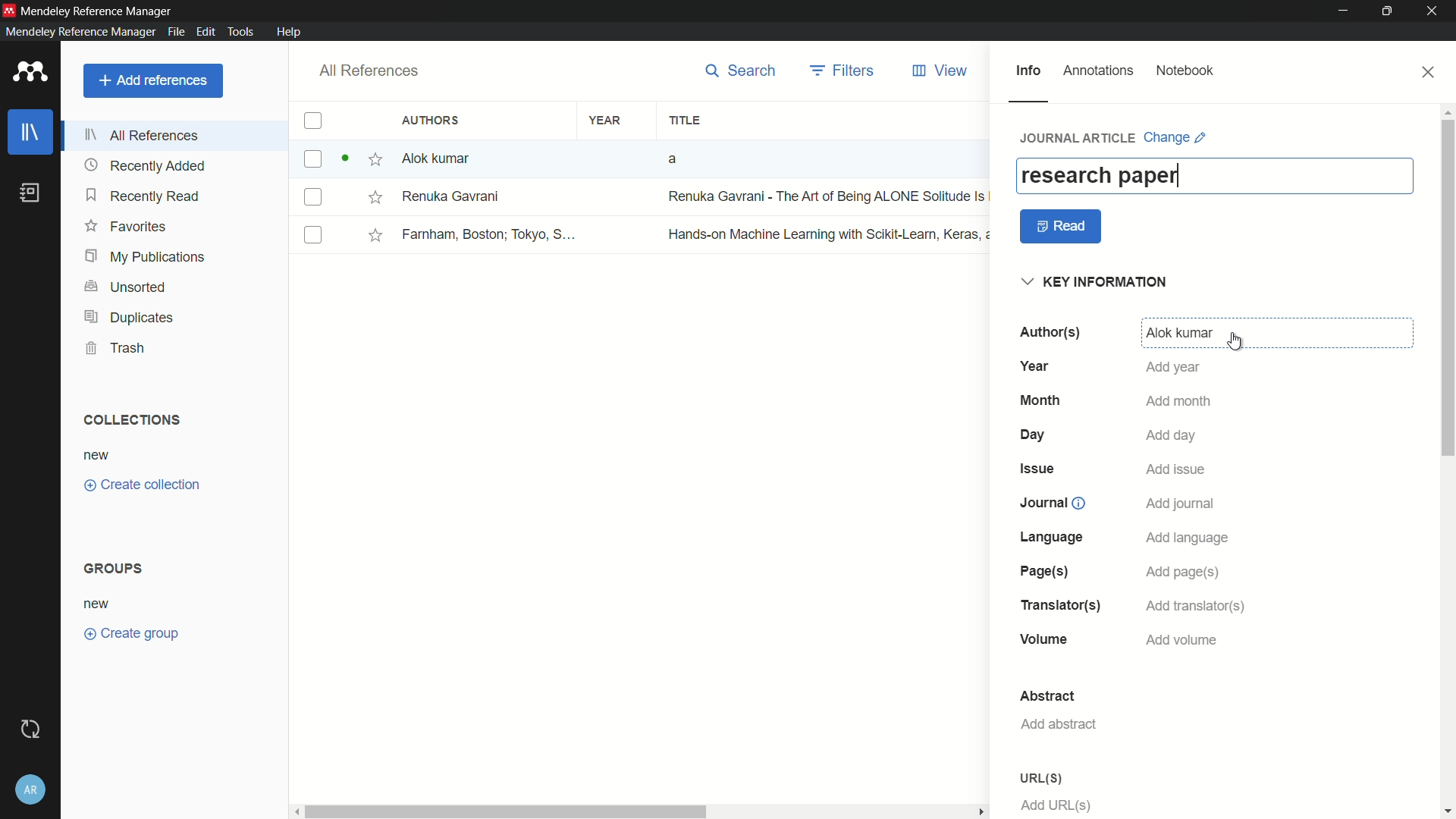 This screenshot has height=819, width=1456. Describe the element at coordinates (1041, 572) in the screenshot. I see `page` at that location.